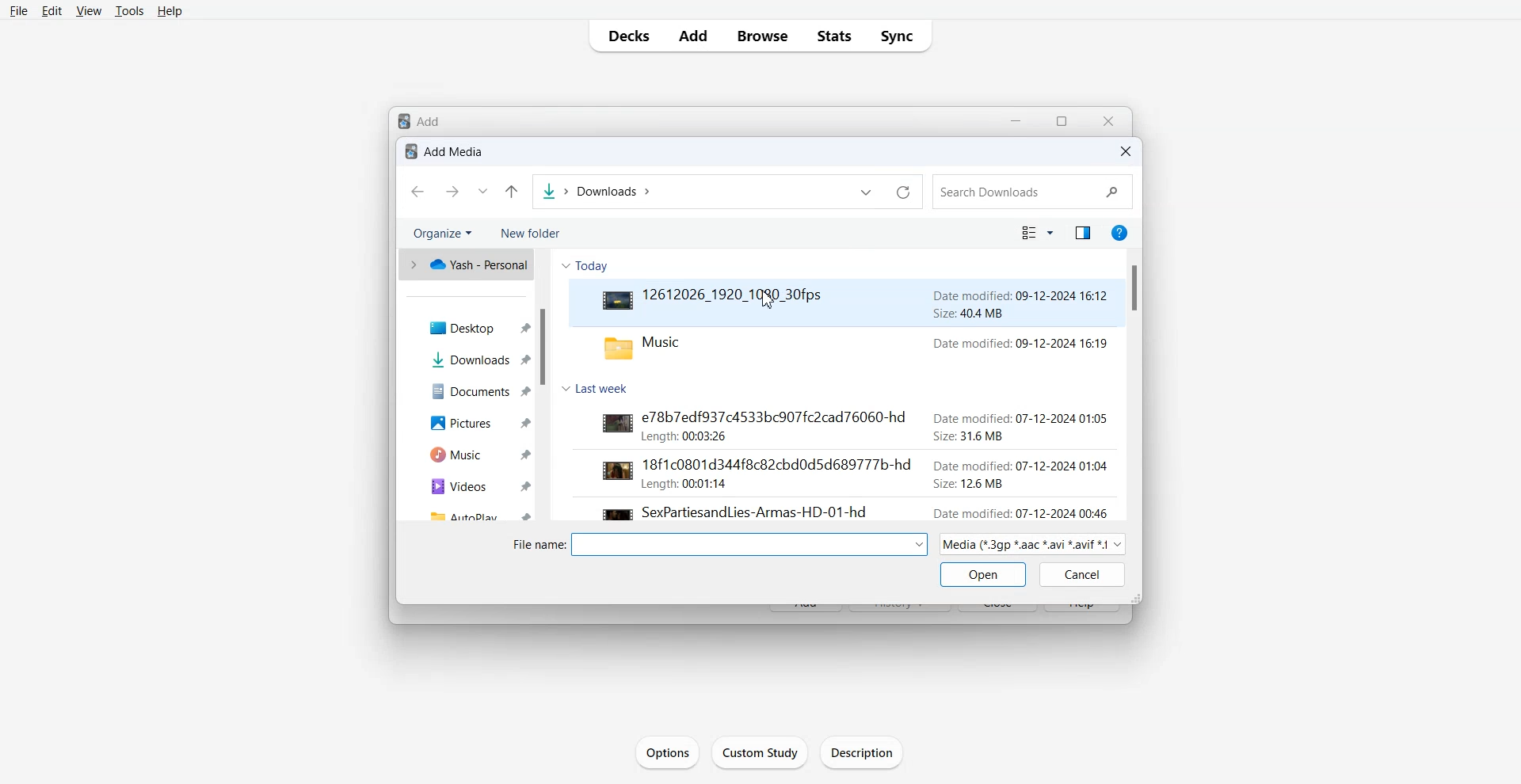 The width and height of the screenshot is (1521, 784). I want to click on resize, so click(1060, 120).